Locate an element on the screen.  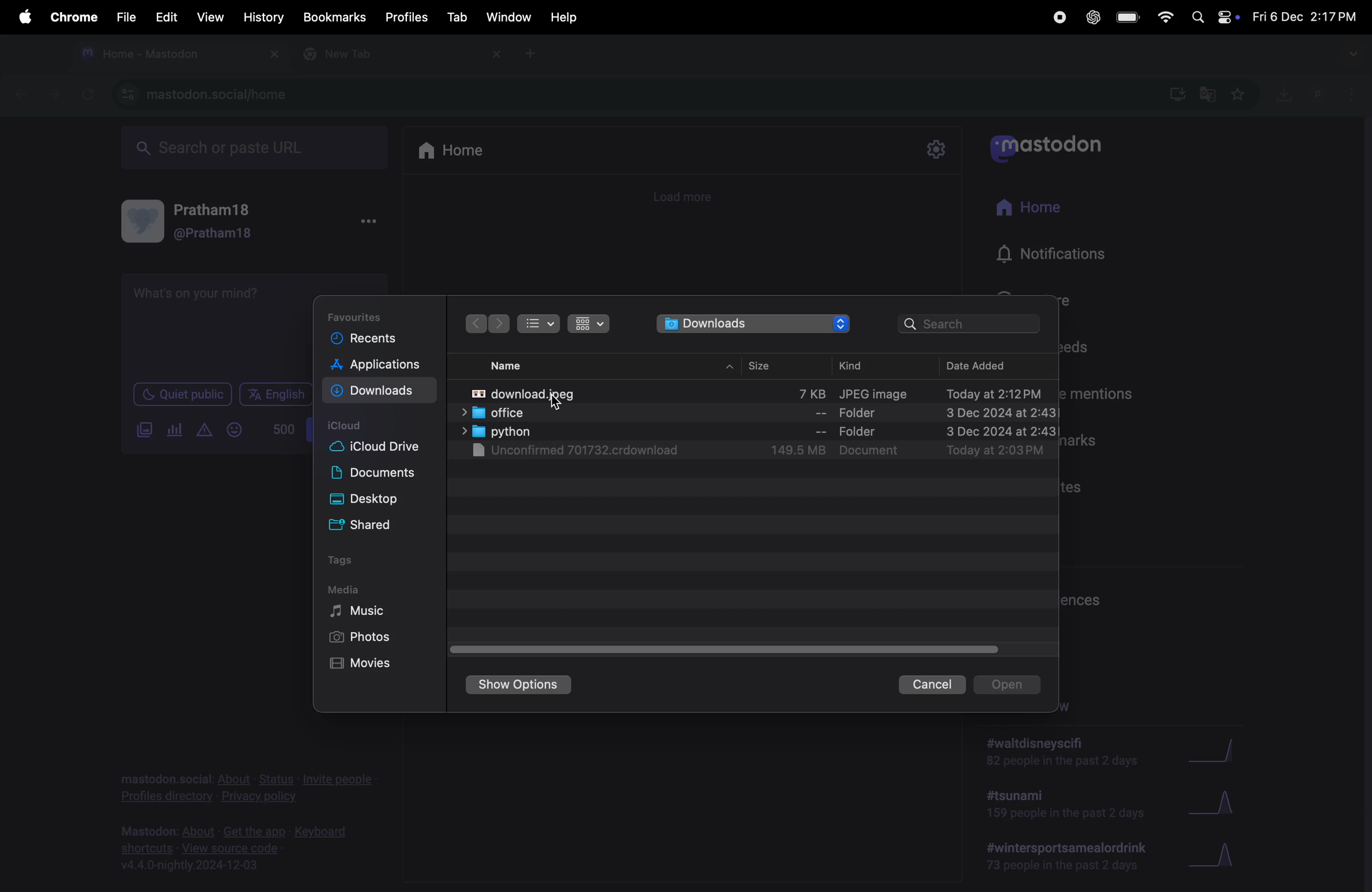
Graph is located at coordinates (1222, 800).